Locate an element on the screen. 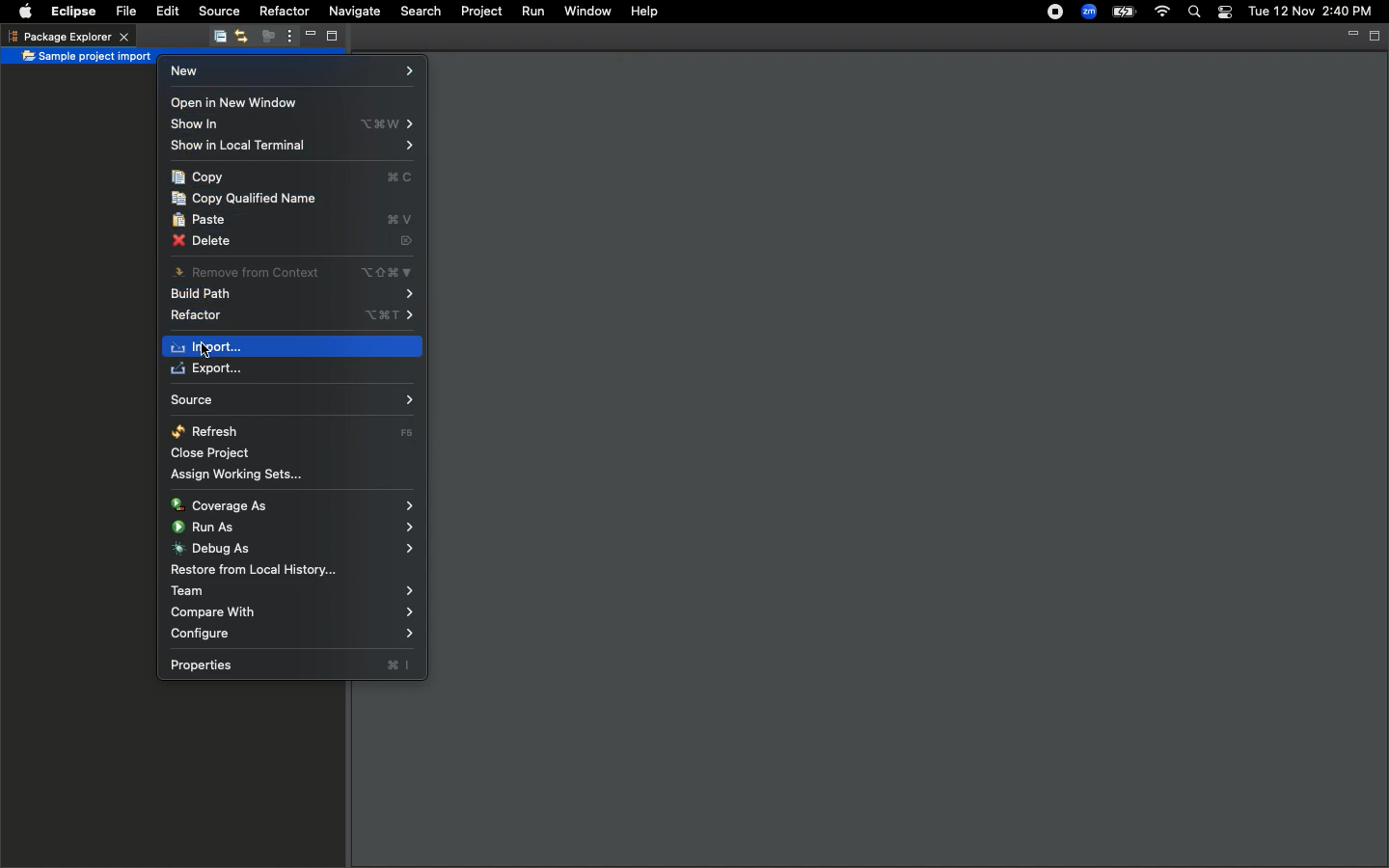  cursor is located at coordinates (207, 361).